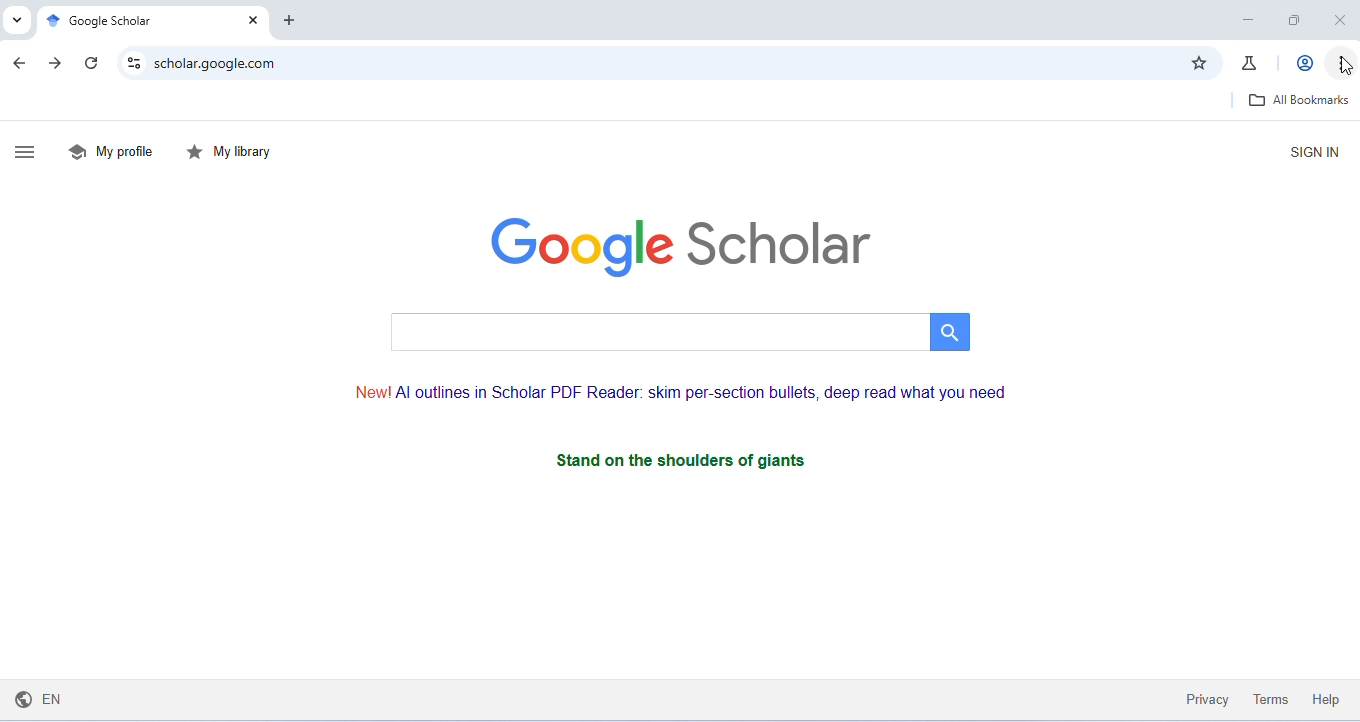 This screenshot has width=1360, height=722. What do you see at coordinates (1297, 99) in the screenshot?
I see `all bookmarks` at bounding box center [1297, 99].